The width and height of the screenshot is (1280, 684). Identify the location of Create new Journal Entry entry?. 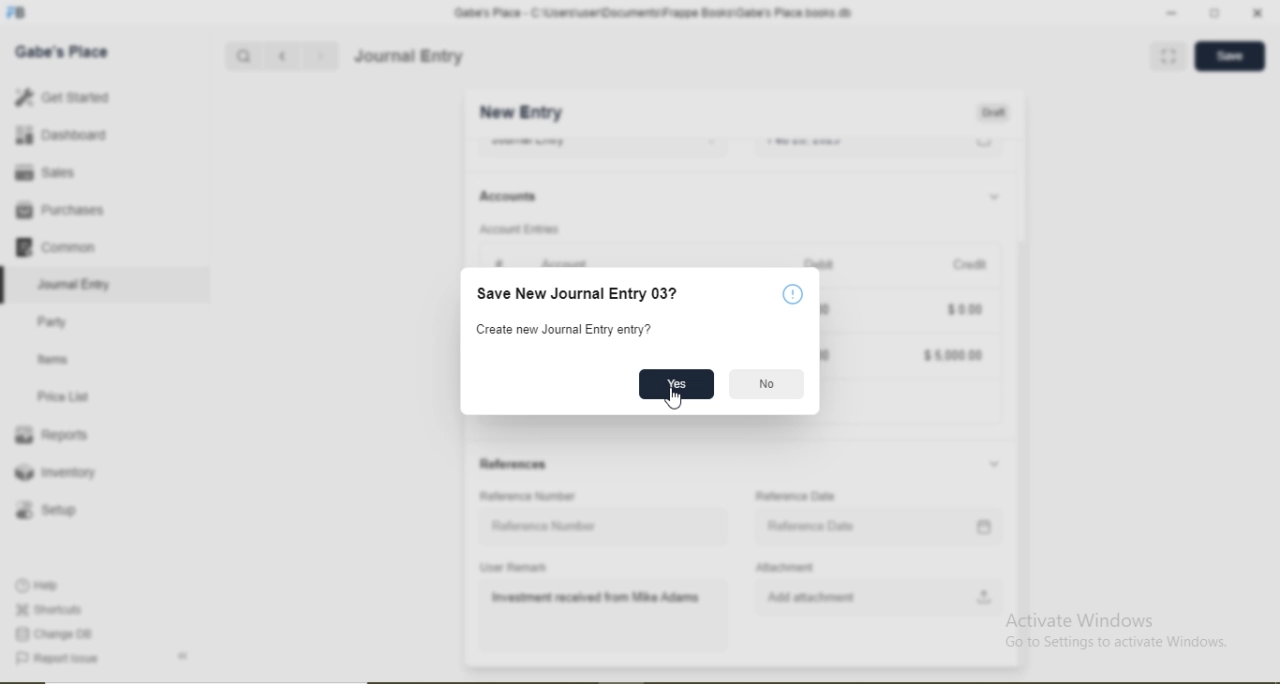
(566, 330).